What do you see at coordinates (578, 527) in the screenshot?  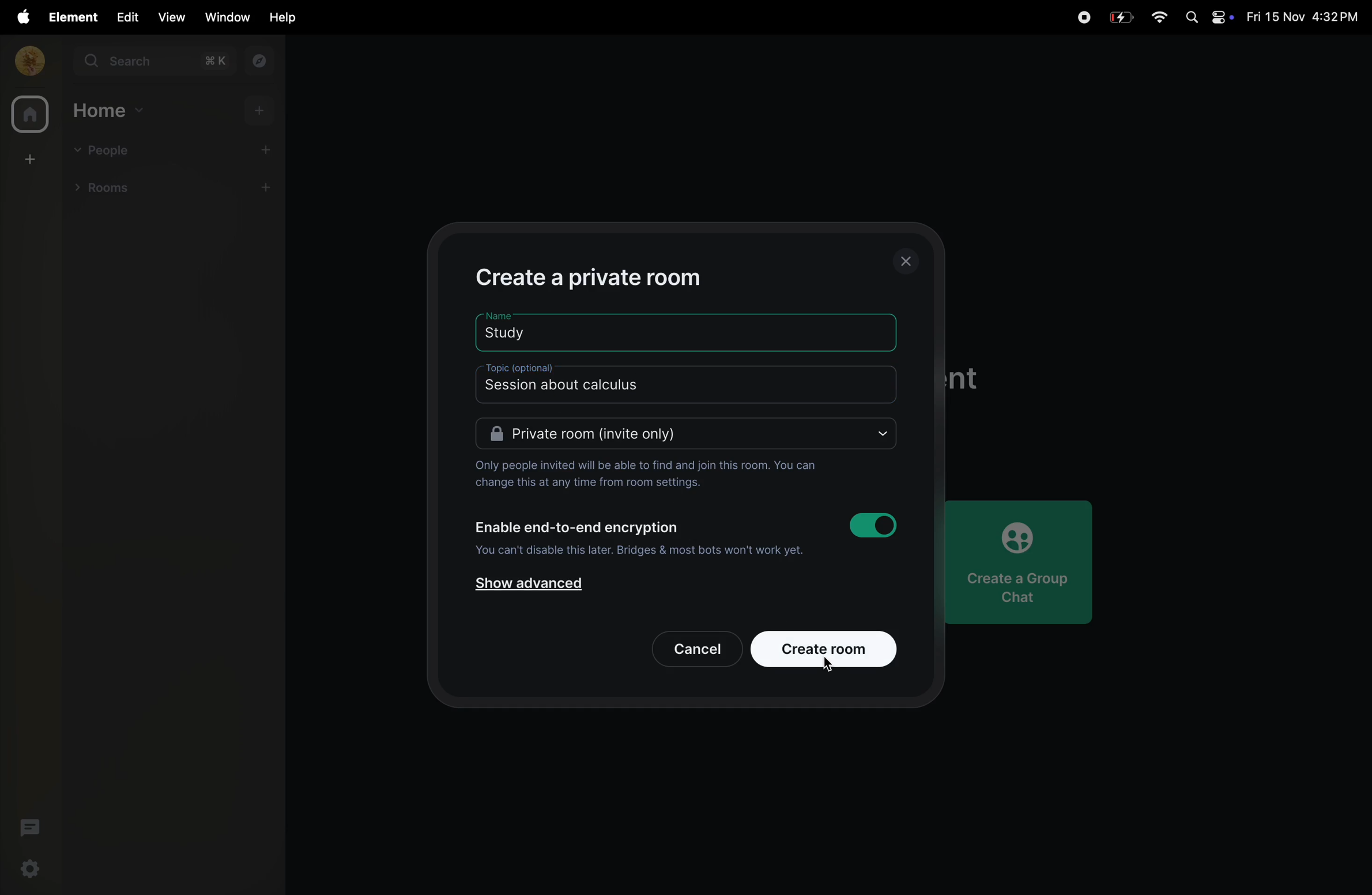 I see `Enable end to end encryption` at bounding box center [578, 527].